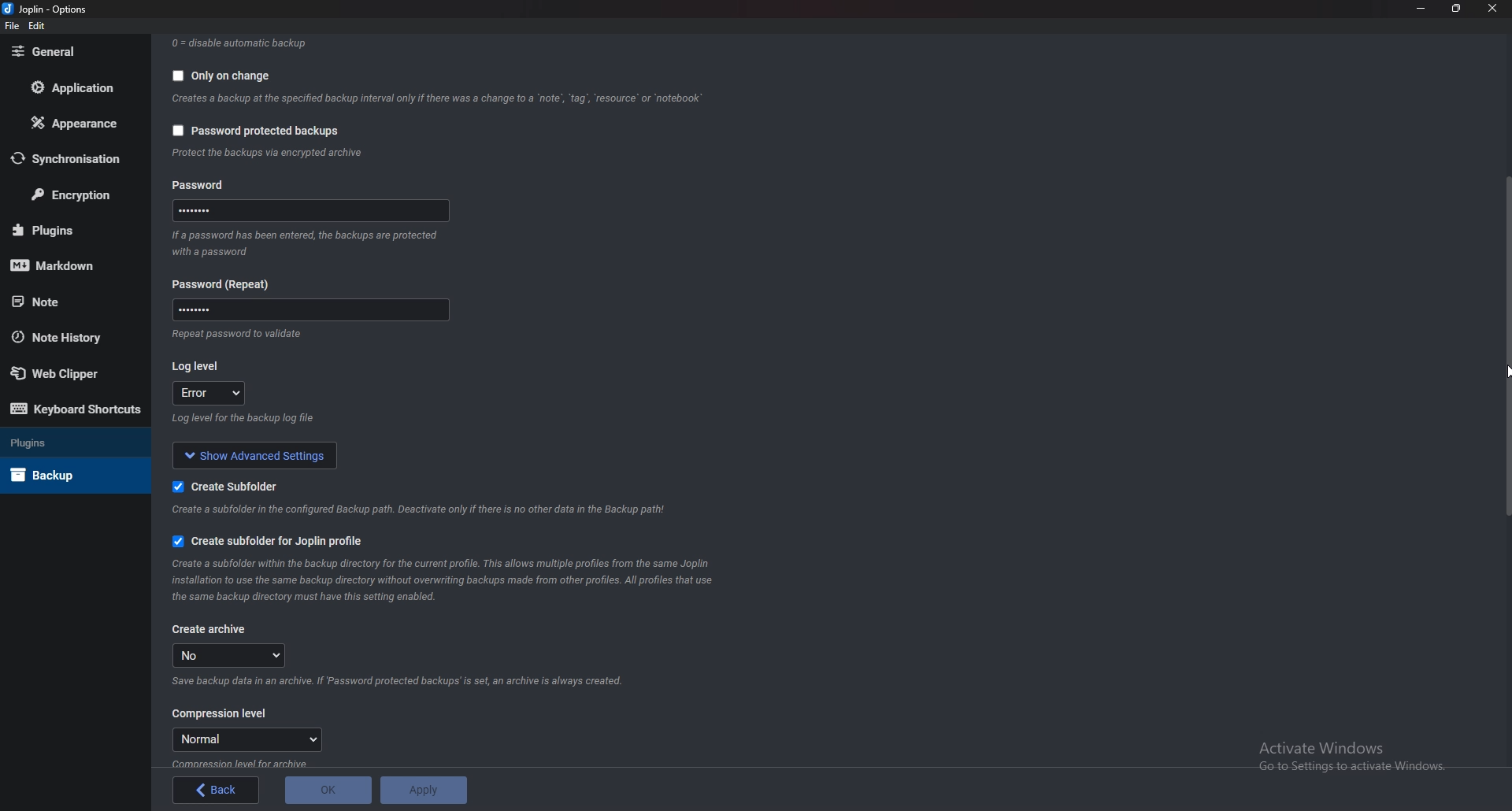 The width and height of the screenshot is (1512, 811). Describe the element at coordinates (421, 510) in the screenshot. I see `Info` at that location.